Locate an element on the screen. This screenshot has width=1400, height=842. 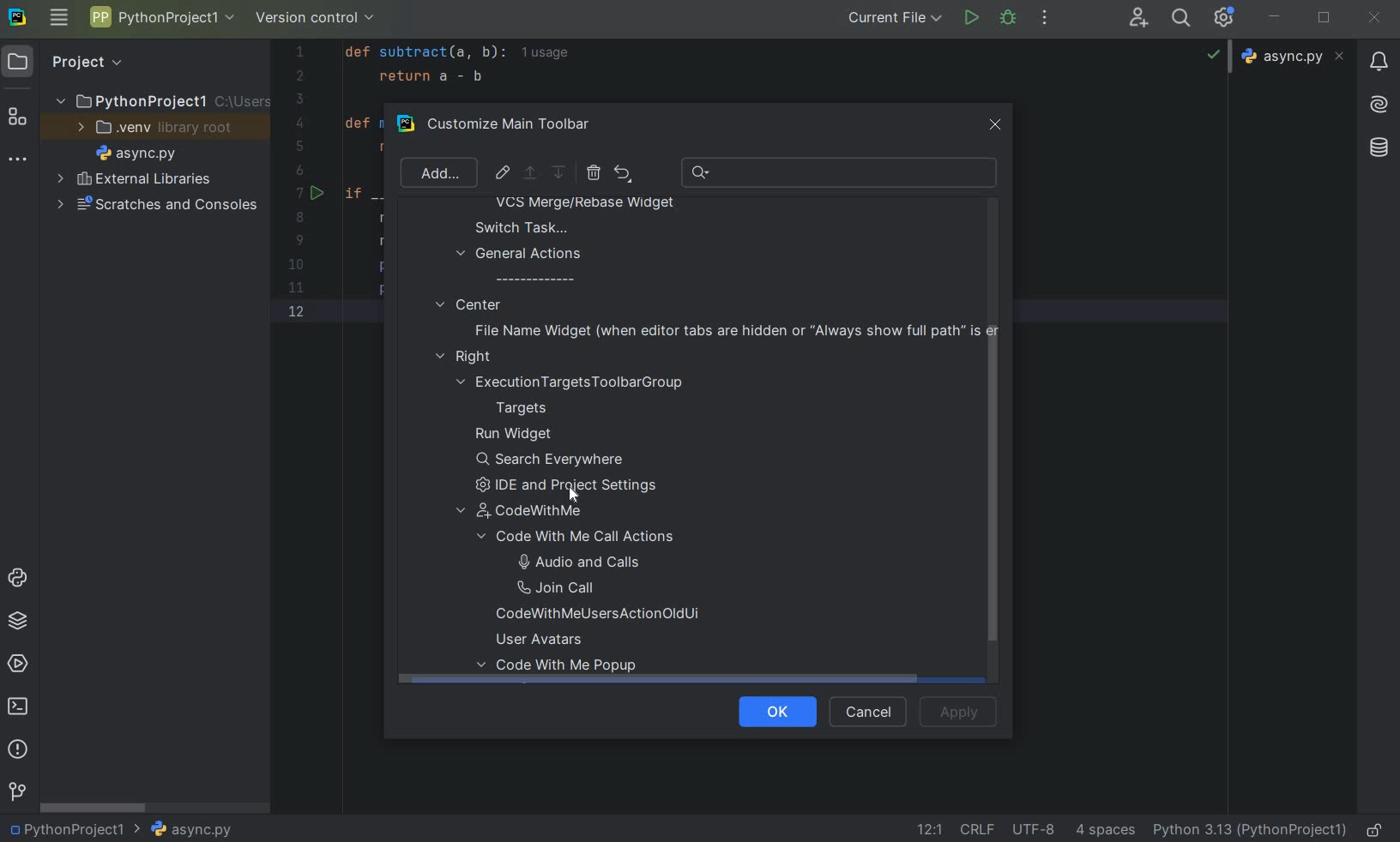
cancel is located at coordinates (865, 713).